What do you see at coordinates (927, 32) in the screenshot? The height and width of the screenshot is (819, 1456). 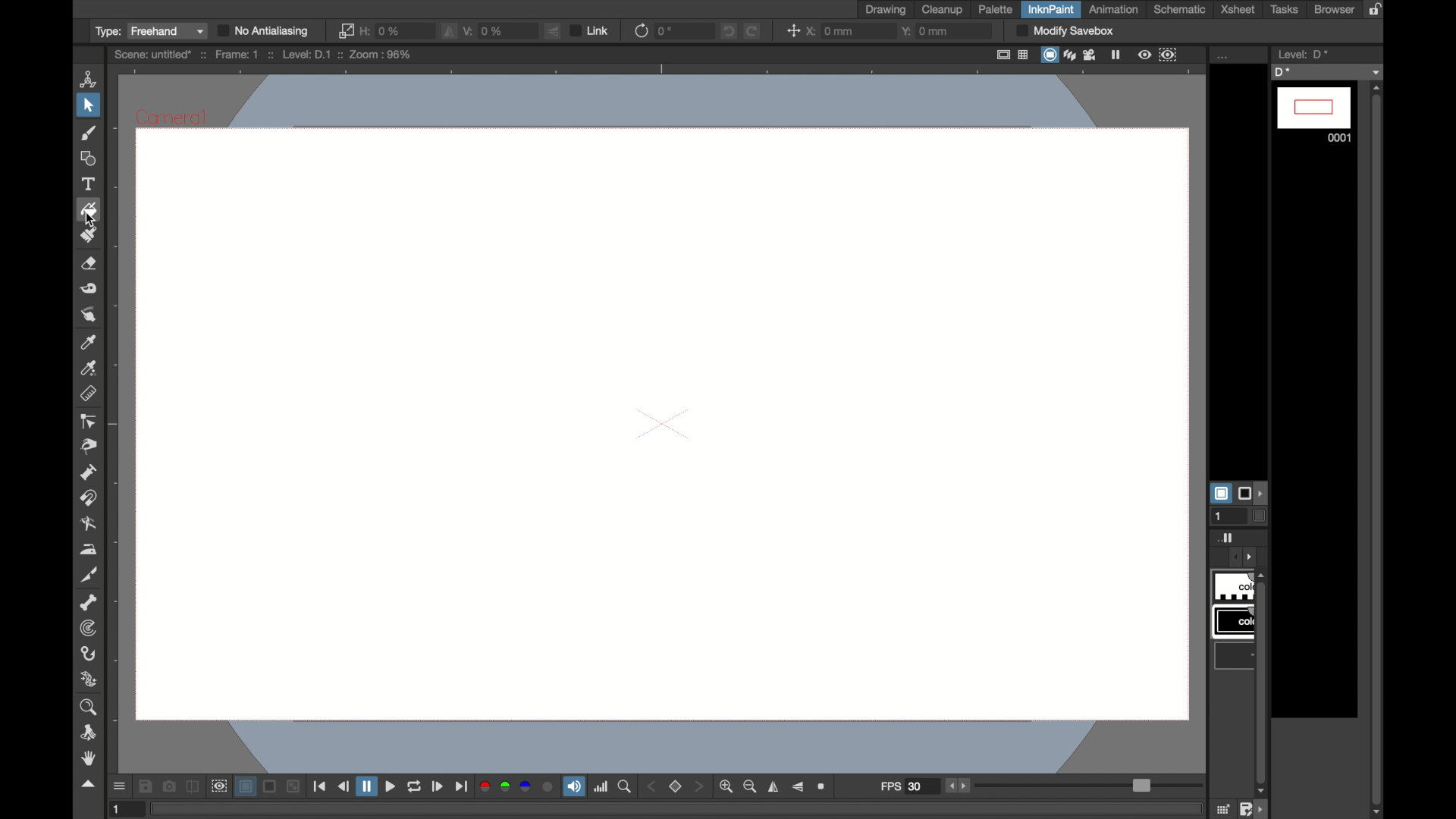 I see `y: 0mm` at bounding box center [927, 32].